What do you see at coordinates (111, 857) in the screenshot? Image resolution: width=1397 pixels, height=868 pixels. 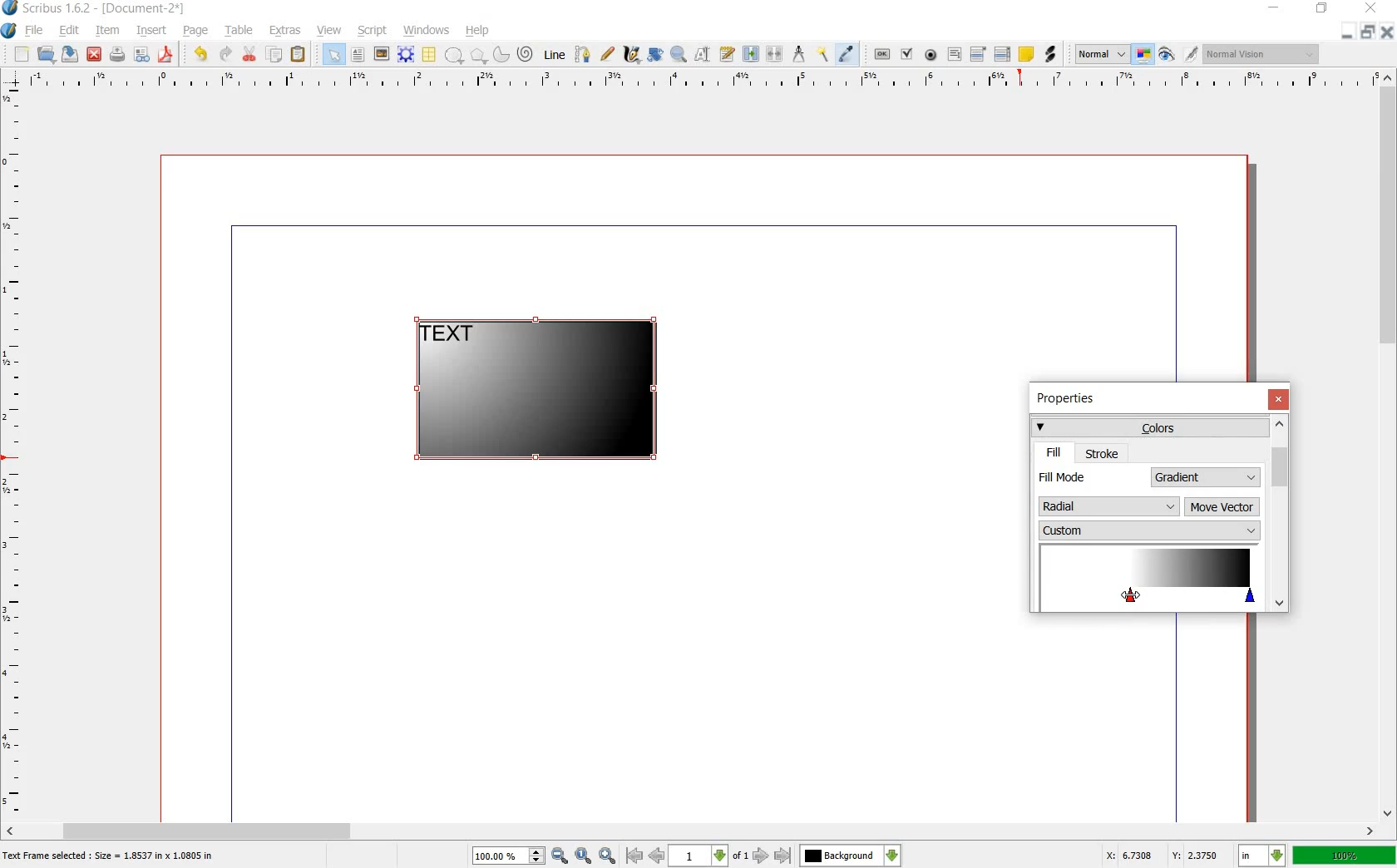 I see `text frame selected : size = 1.8537 in x 1.0805 in` at bounding box center [111, 857].